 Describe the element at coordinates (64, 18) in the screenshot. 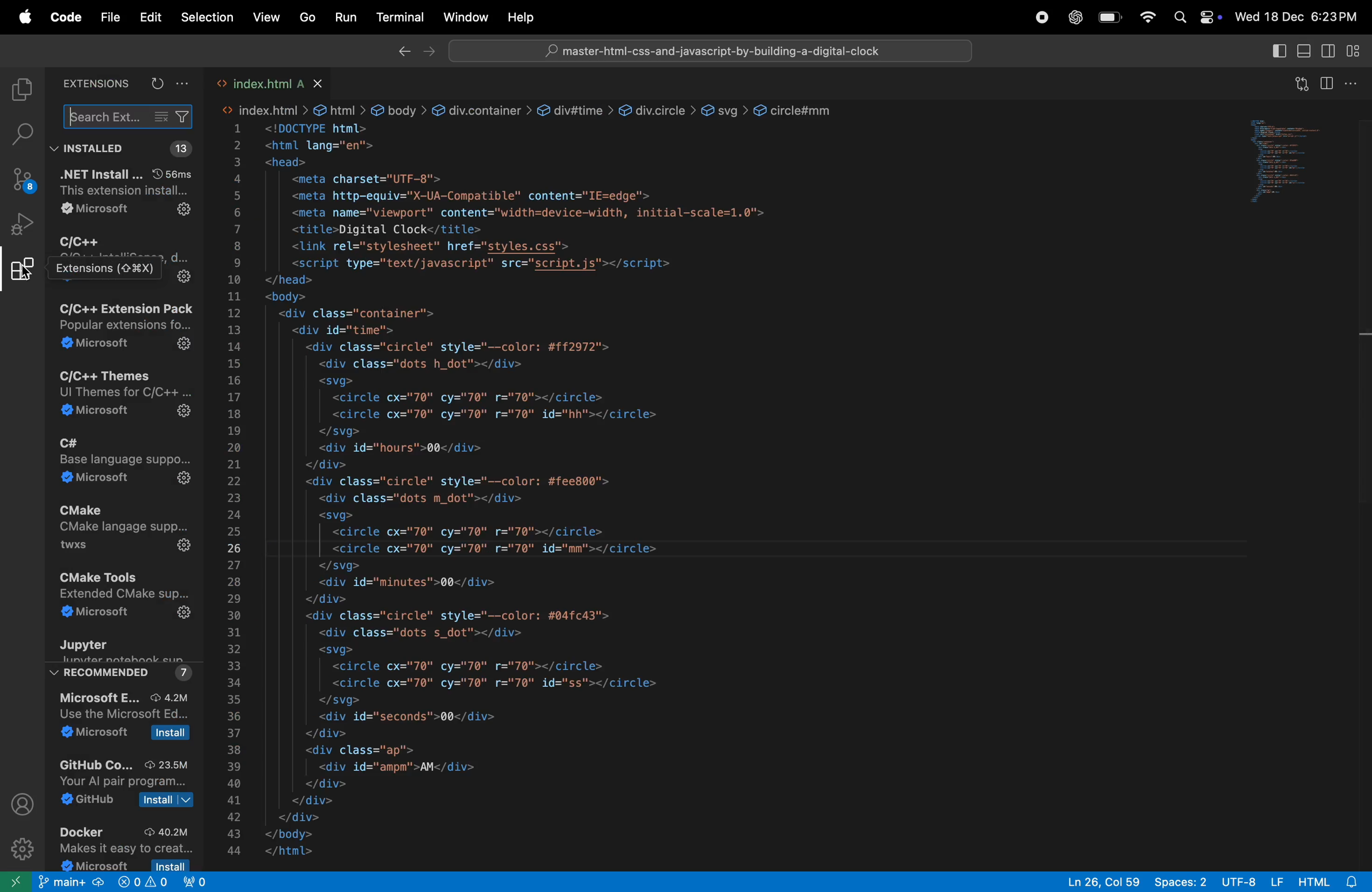

I see `code` at that location.